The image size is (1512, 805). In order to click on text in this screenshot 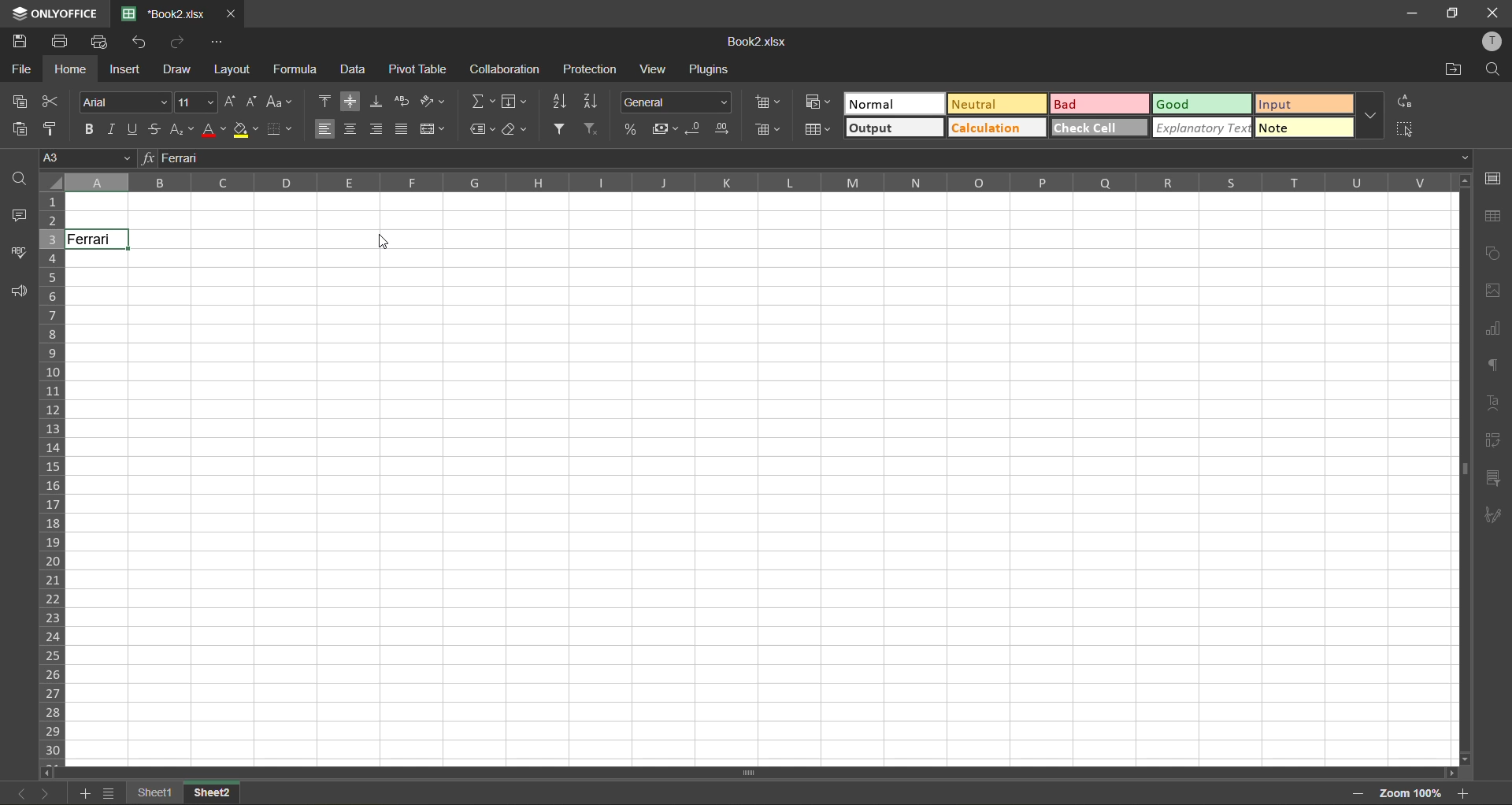, I will do `click(1495, 406)`.